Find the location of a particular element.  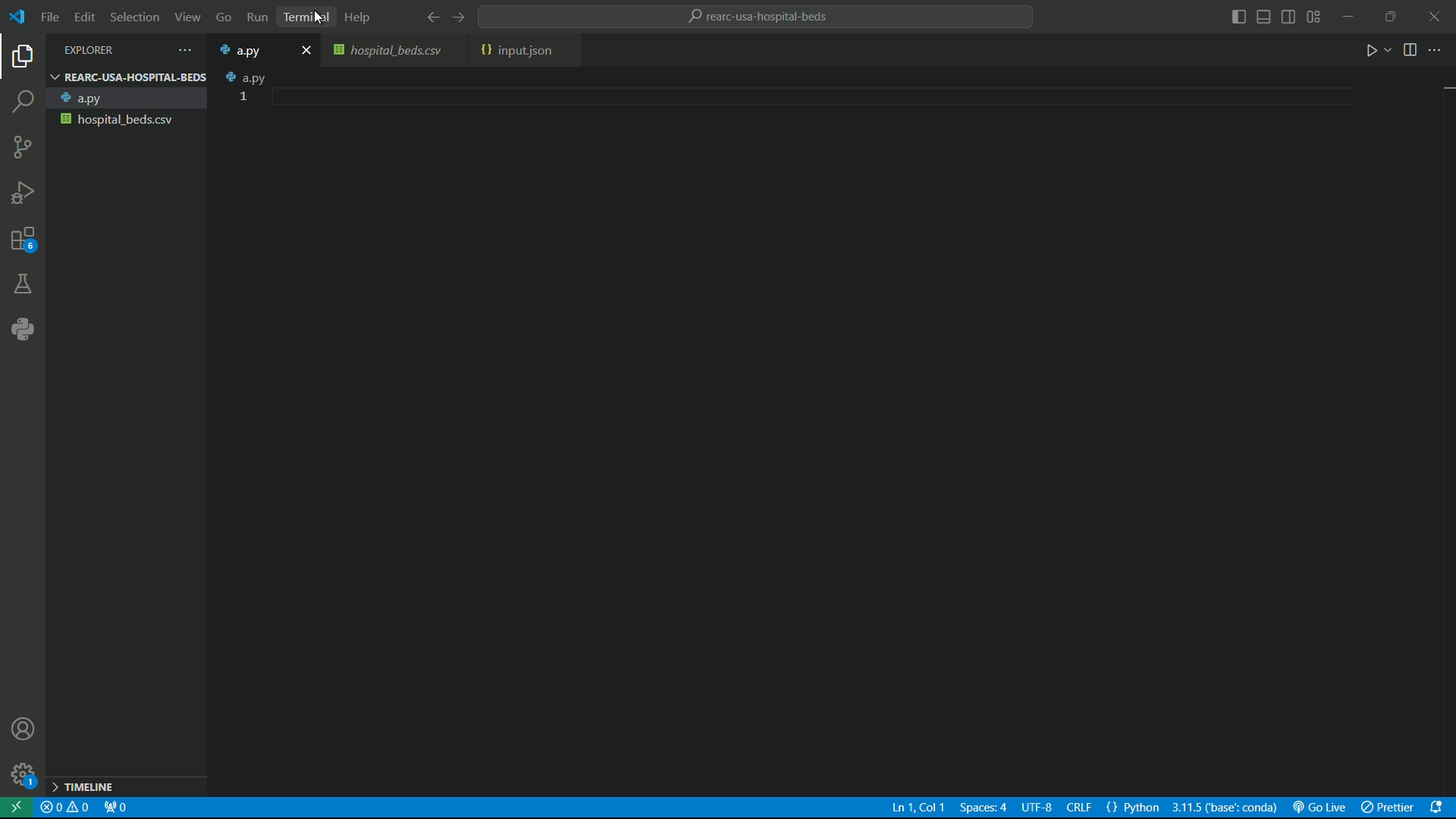

go back is located at coordinates (431, 18).